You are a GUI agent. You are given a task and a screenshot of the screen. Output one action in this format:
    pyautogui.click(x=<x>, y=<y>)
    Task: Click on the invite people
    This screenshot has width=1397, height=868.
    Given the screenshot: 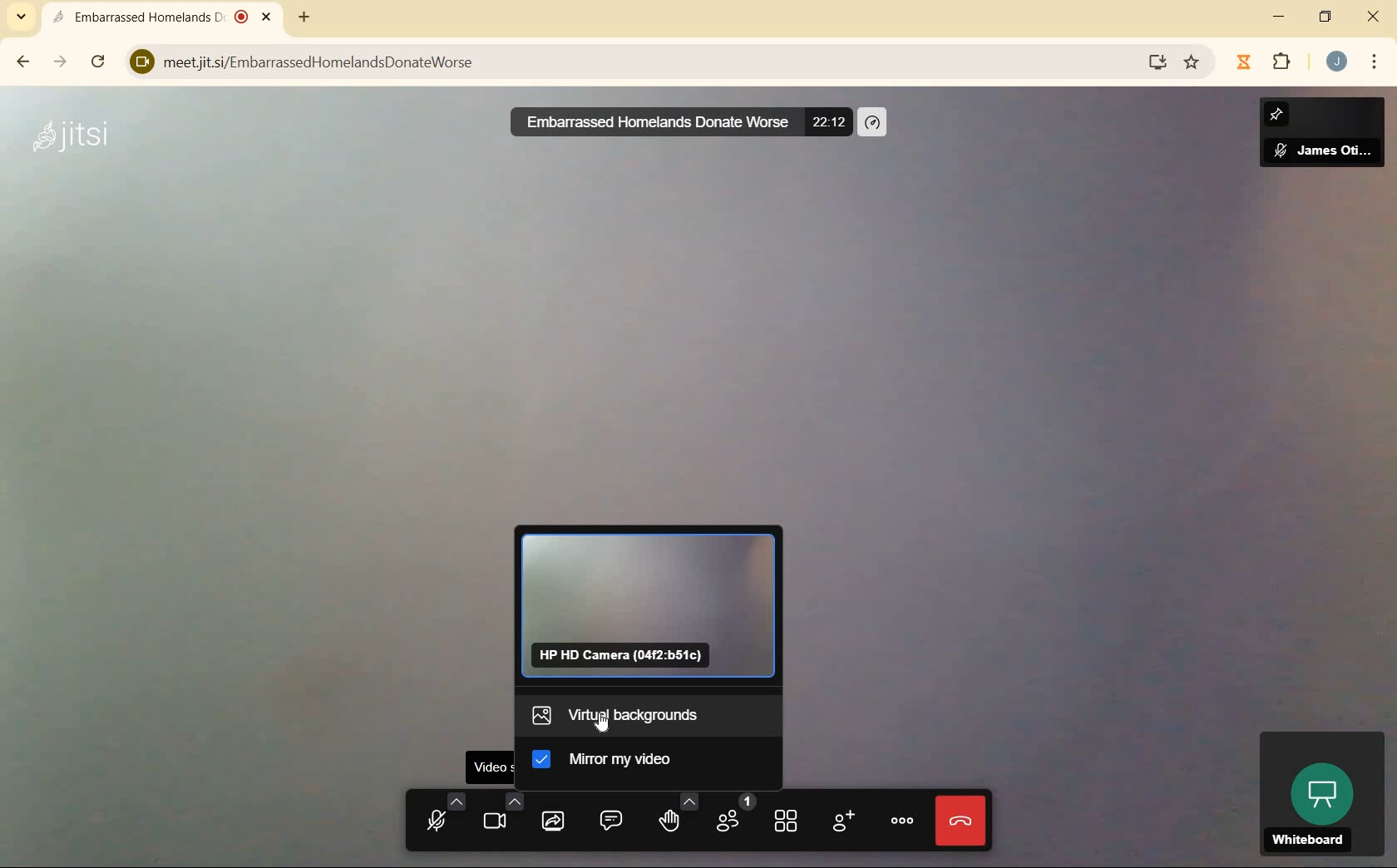 What is the action you would take?
    pyautogui.click(x=842, y=821)
    